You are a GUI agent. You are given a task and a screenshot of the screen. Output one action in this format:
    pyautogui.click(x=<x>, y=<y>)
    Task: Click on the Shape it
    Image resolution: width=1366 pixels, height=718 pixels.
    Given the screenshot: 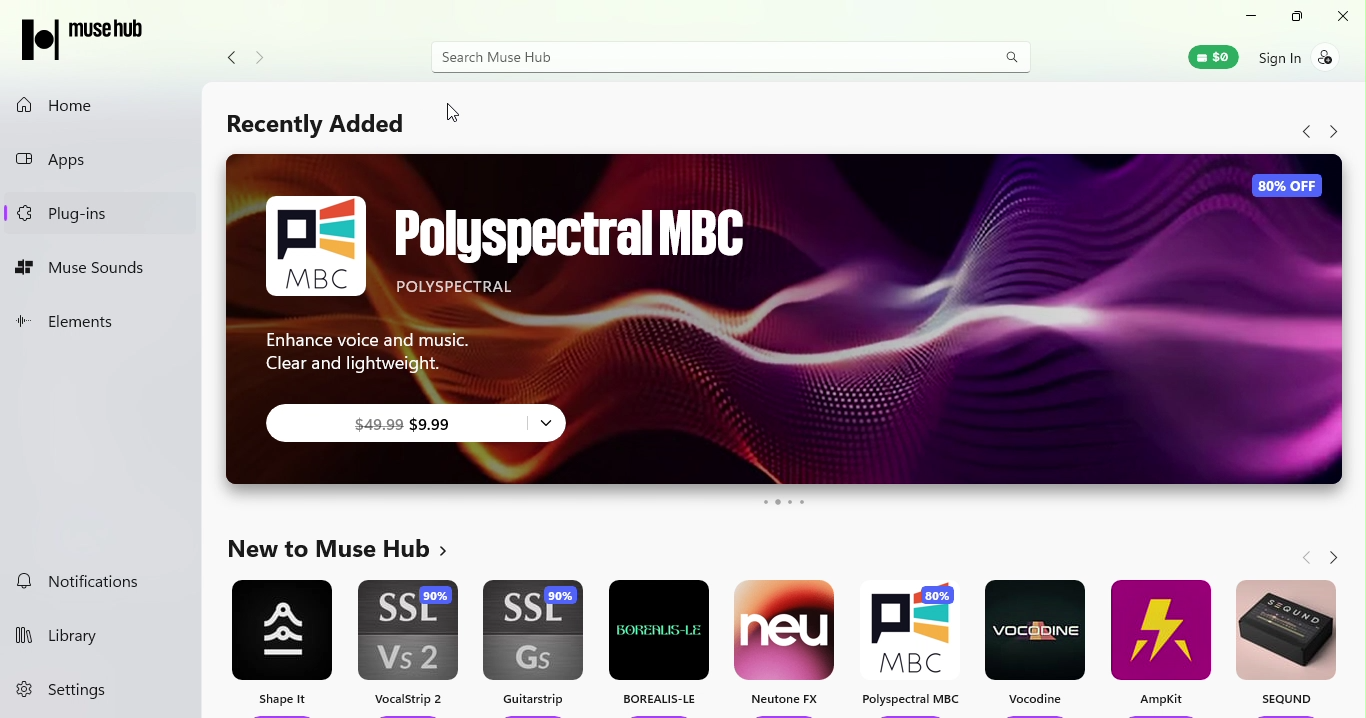 What is the action you would take?
    pyautogui.click(x=282, y=649)
    